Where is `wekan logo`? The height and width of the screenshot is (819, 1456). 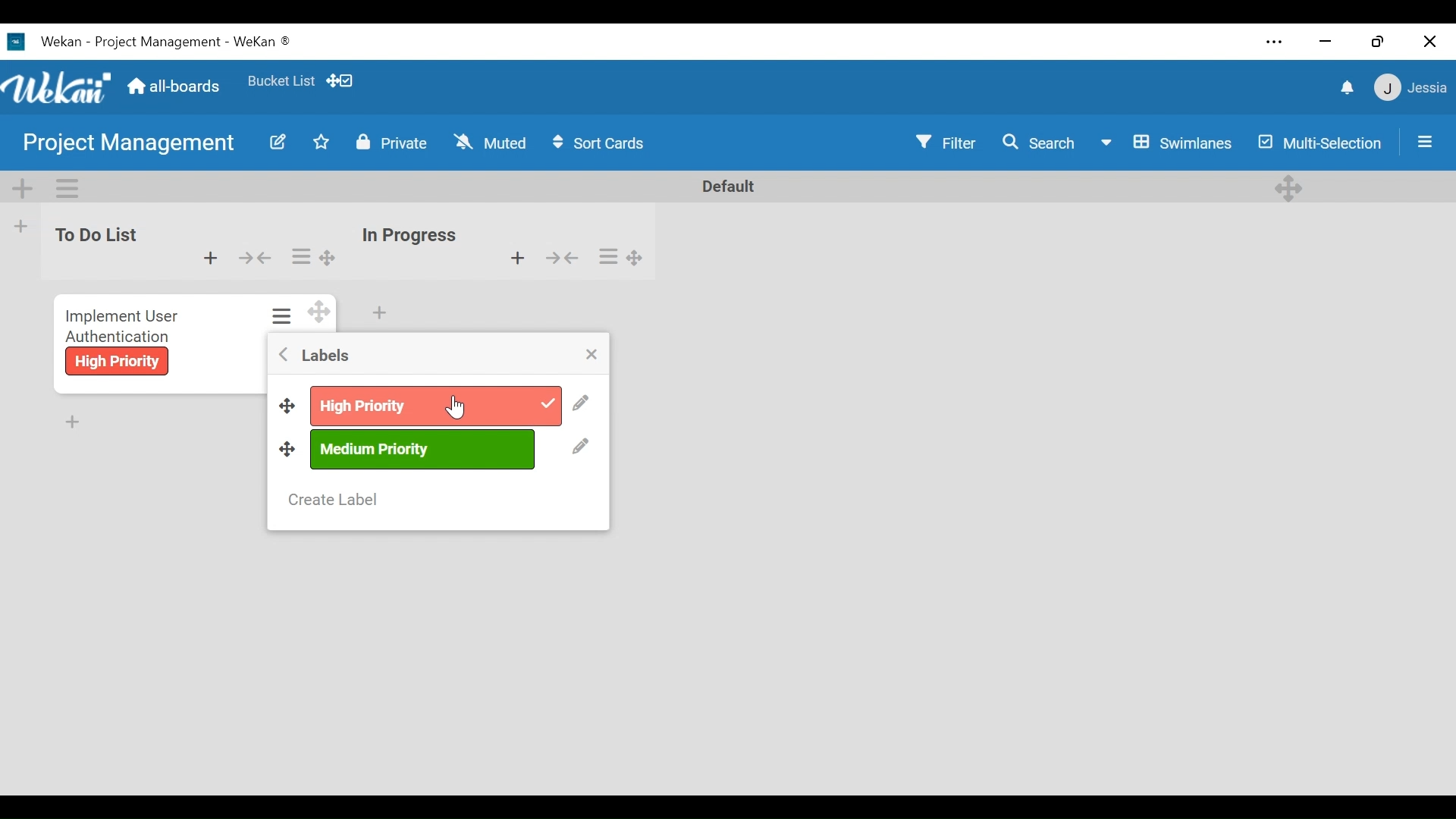 wekan logo is located at coordinates (14, 42).